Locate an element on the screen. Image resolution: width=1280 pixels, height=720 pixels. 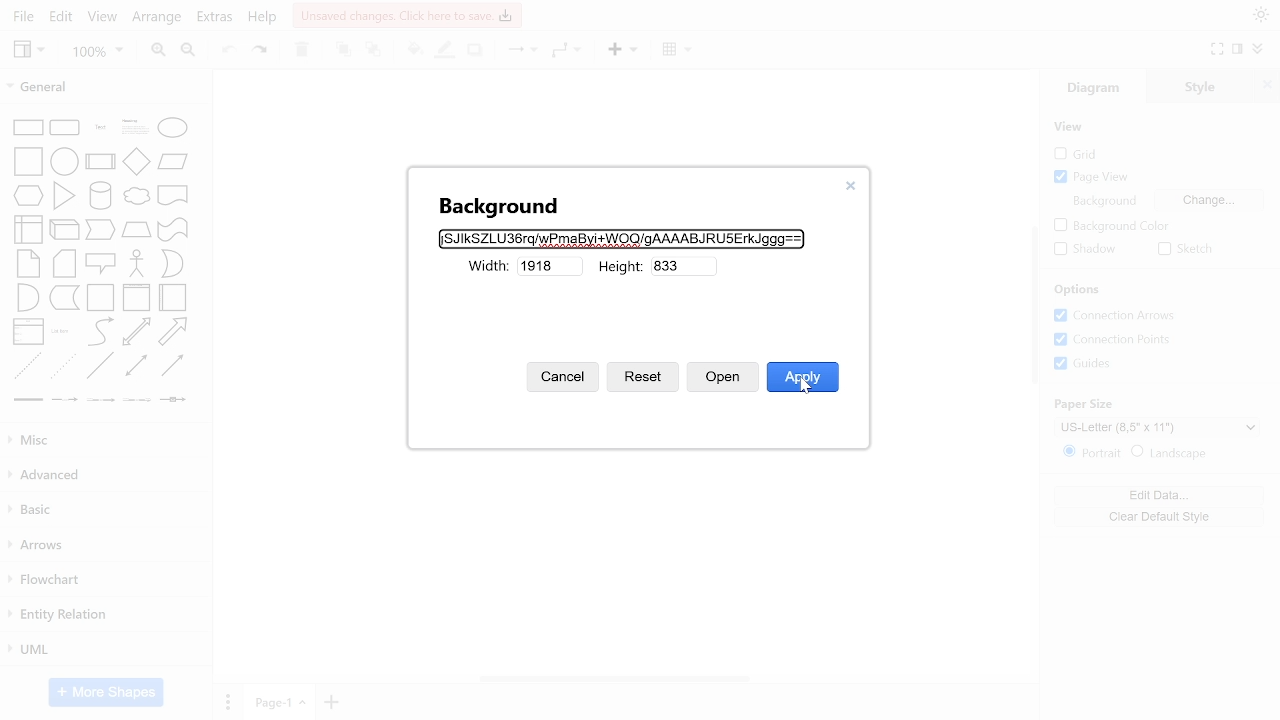
general shapes is located at coordinates (101, 296).